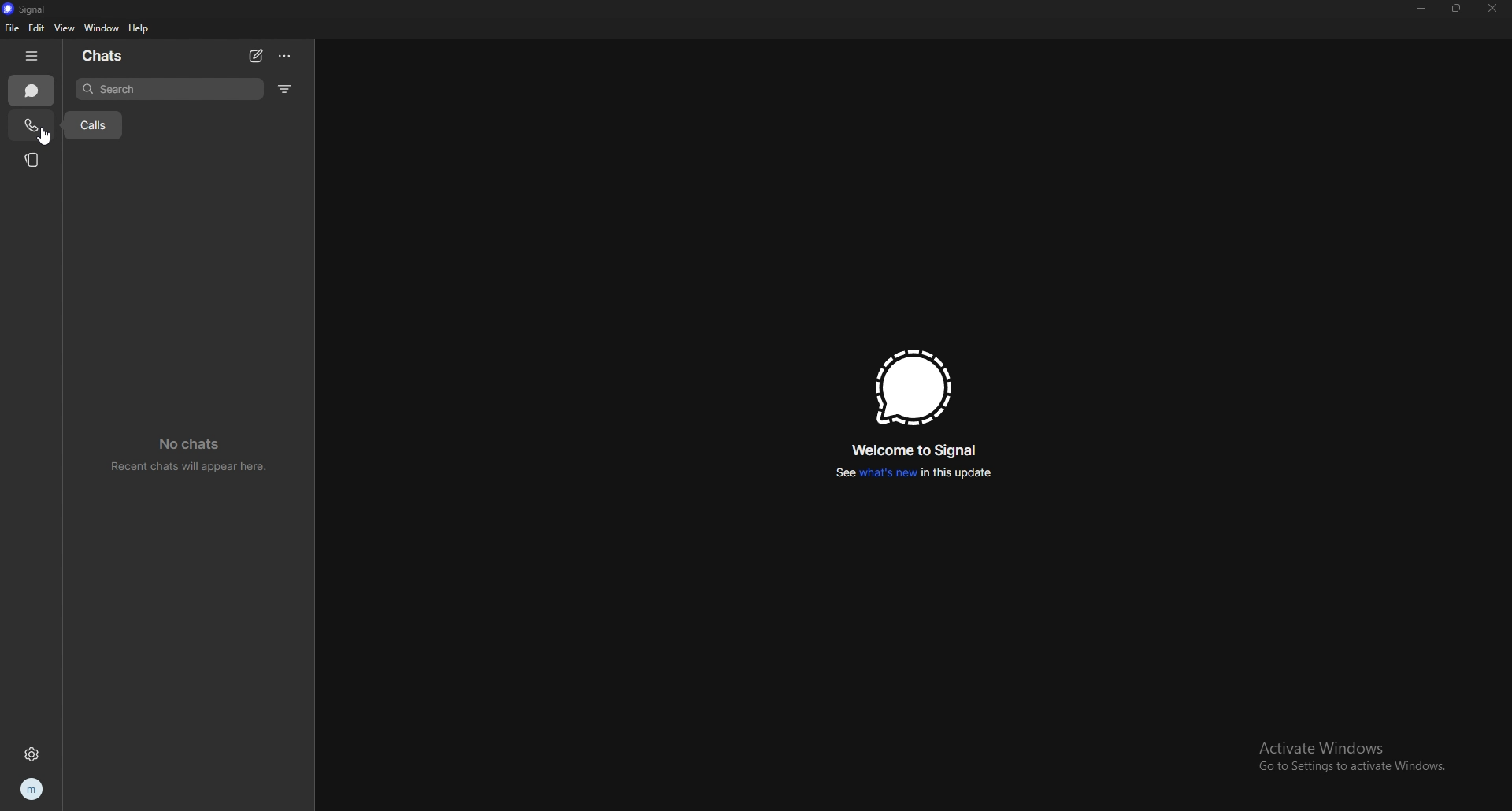  What do you see at coordinates (41, 139) in the screenshot?
I see `cursor` at bounding box center [41, 139].